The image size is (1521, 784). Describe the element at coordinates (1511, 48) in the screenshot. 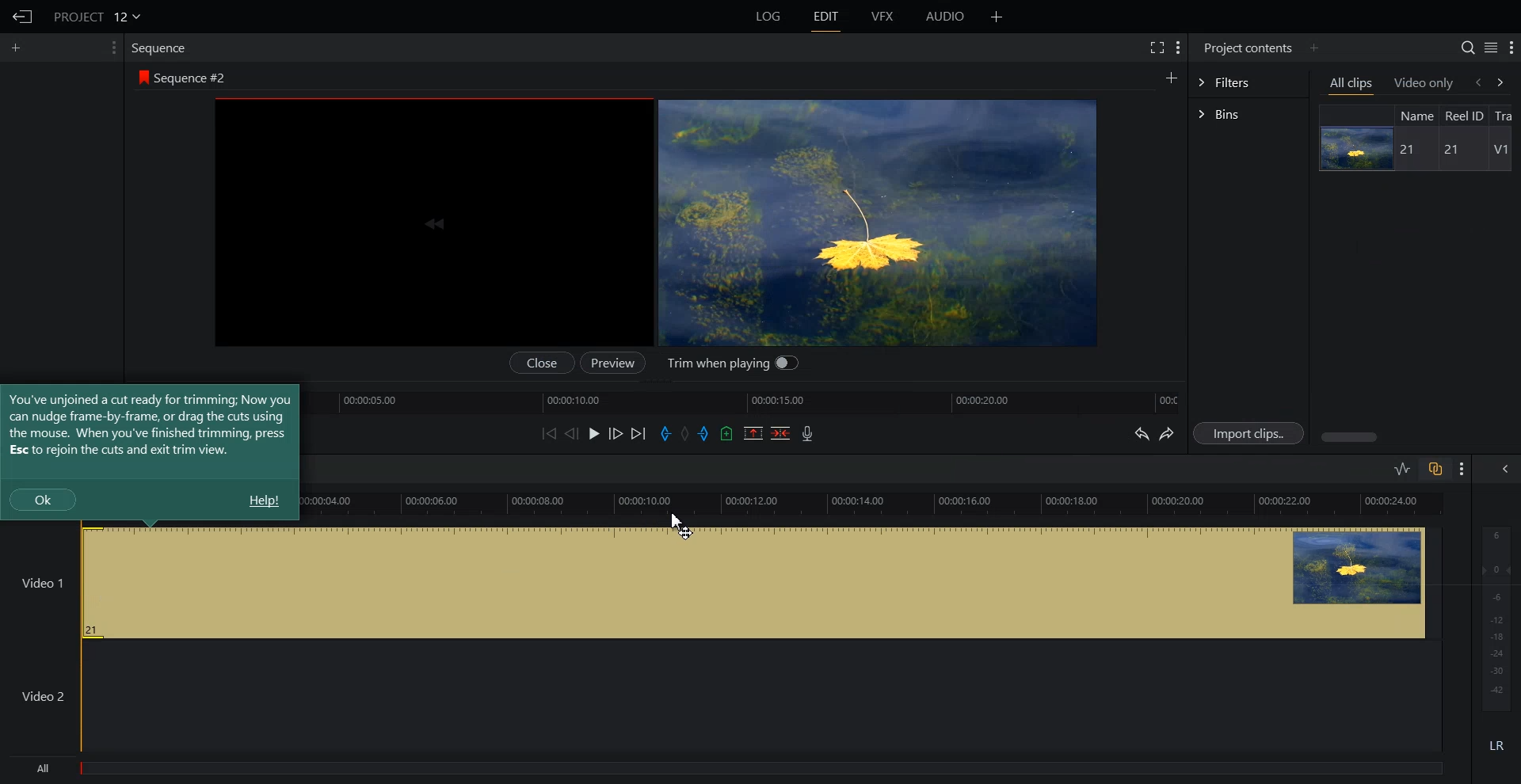

I see `Show Setting Menu` at that location.